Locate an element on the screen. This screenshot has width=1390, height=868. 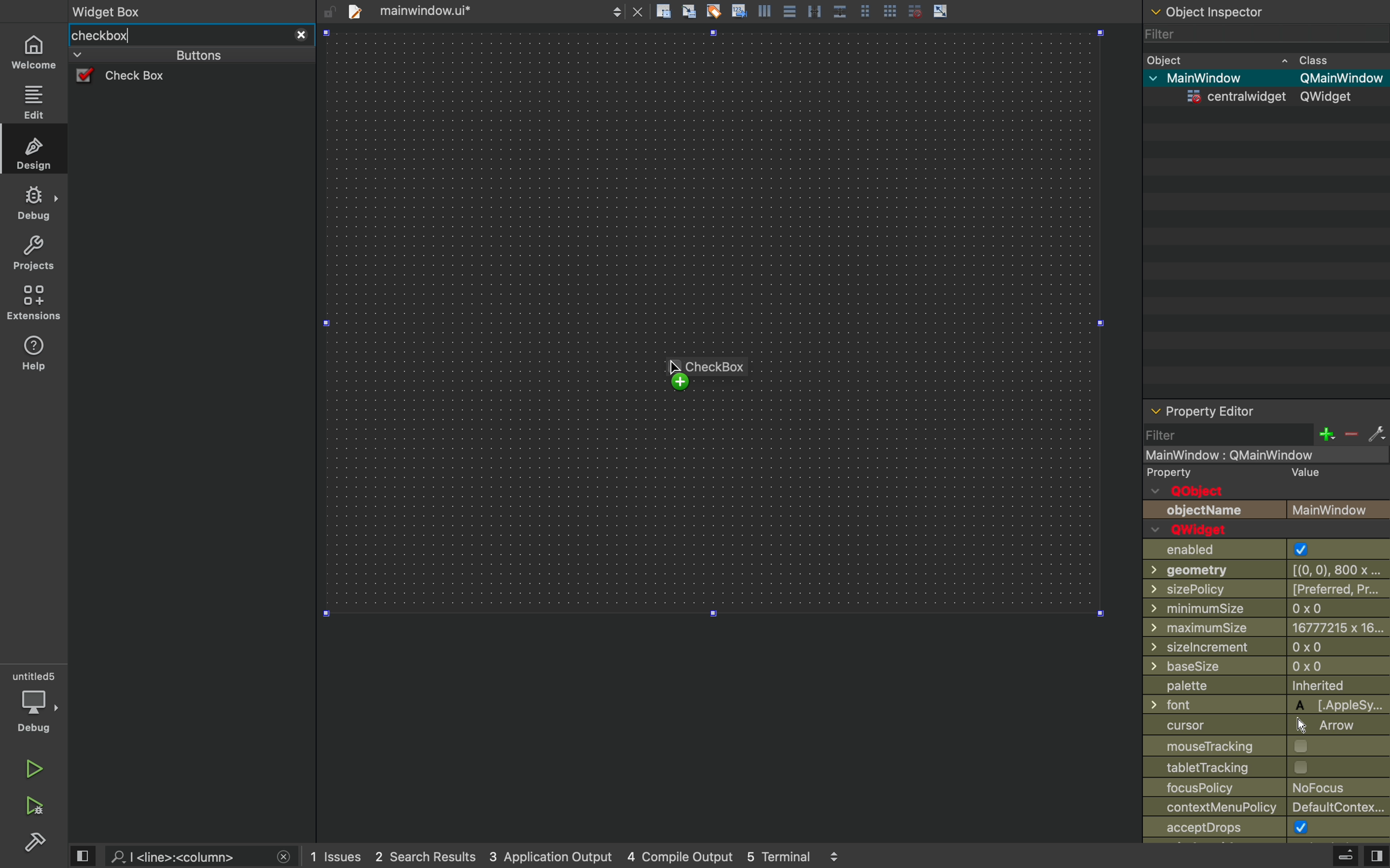
close is located at coordinates (639, 11).